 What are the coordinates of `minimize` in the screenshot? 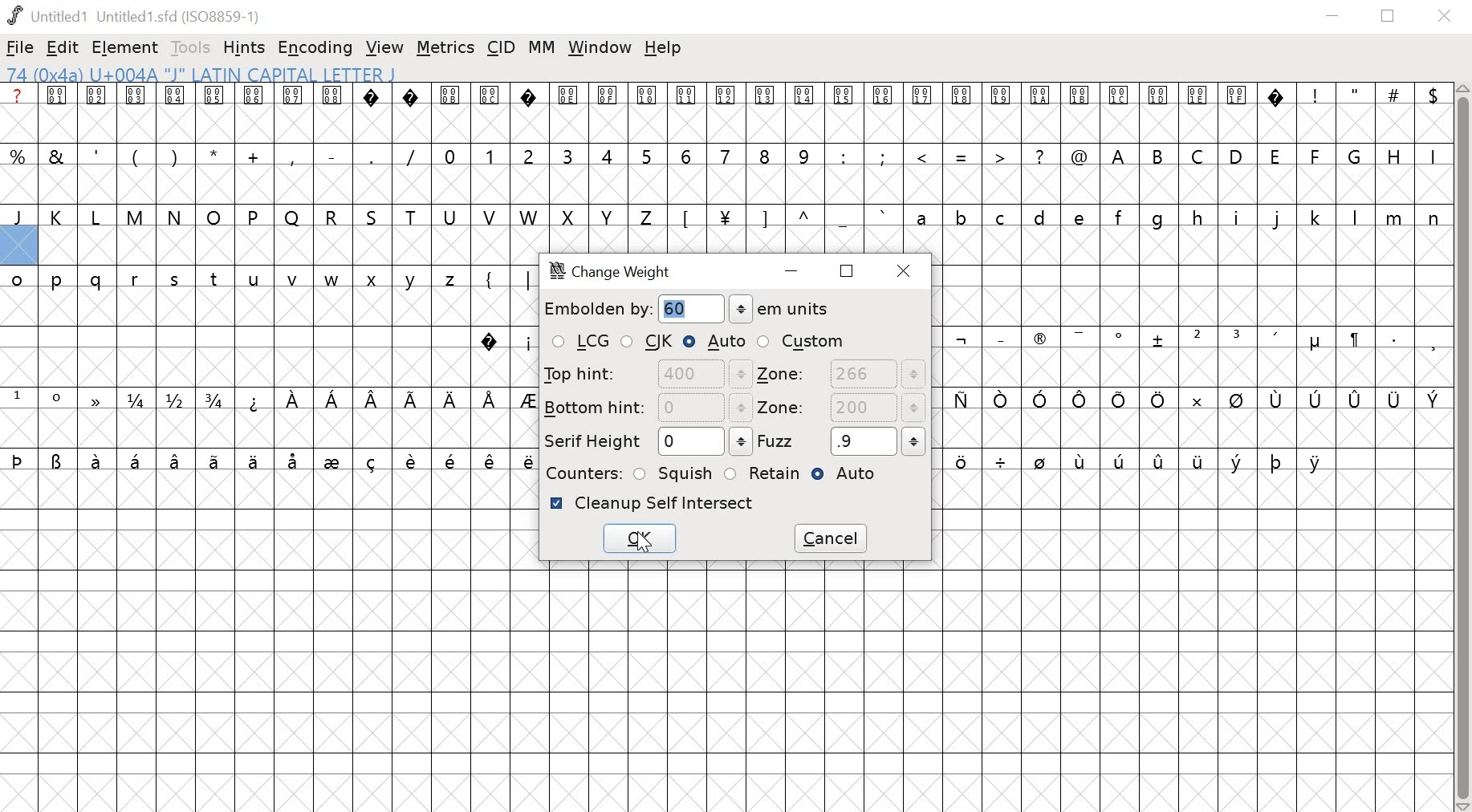 It's located at (1332, 17).